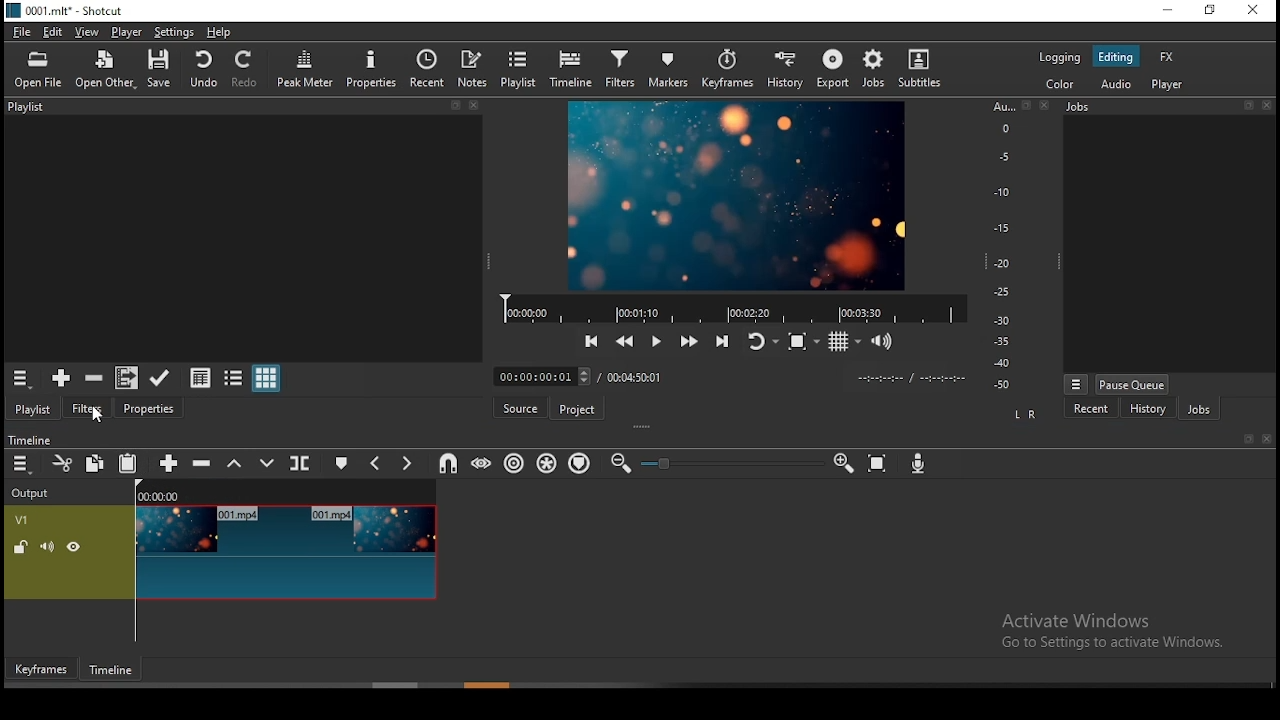 The width and height of the screenshot is (1280, 720). Describe the element at coordinates (375, 461) in the screenshot. I see `previous marker` at that location.